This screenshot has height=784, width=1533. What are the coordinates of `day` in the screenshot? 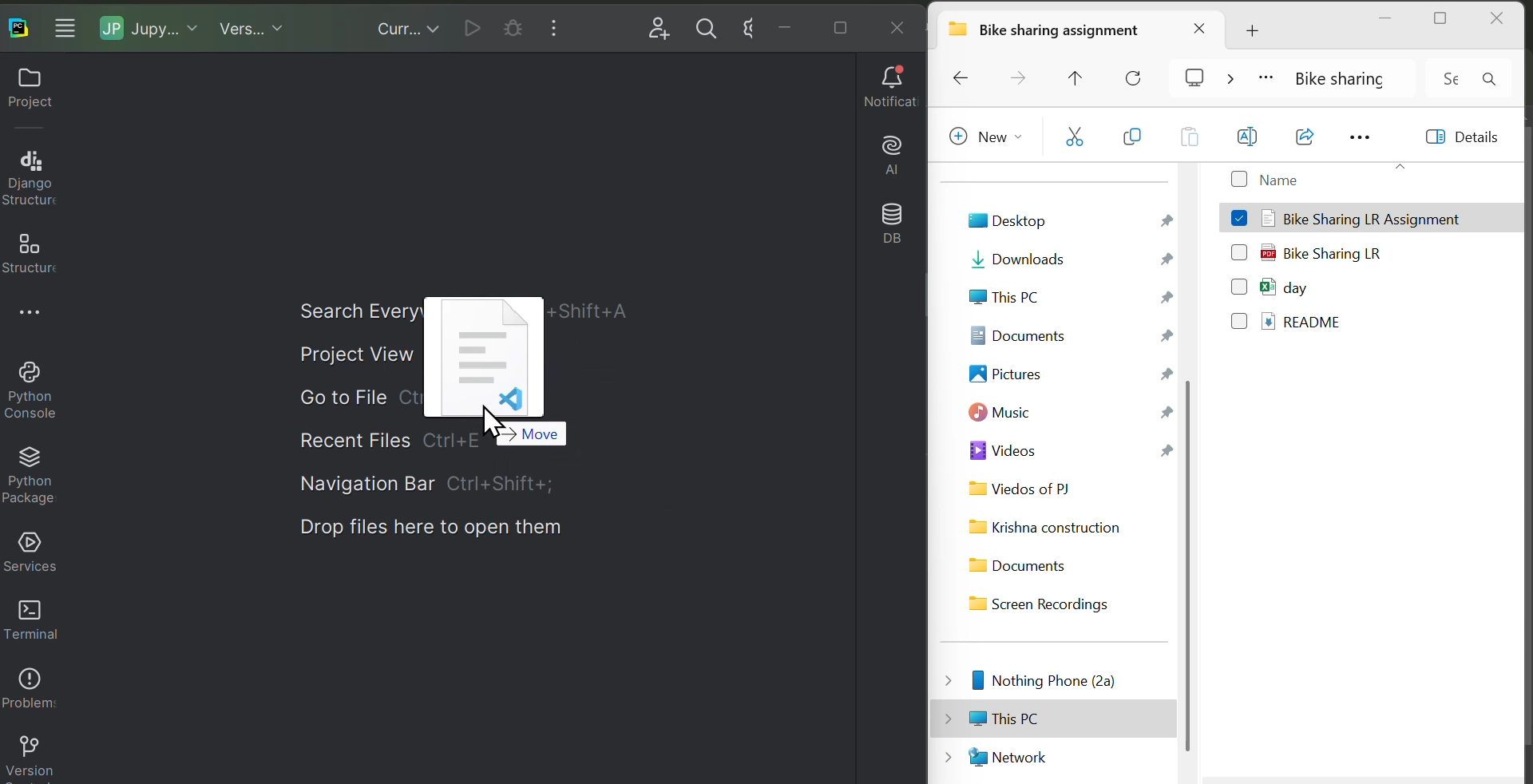 It's located at (1323, 291).